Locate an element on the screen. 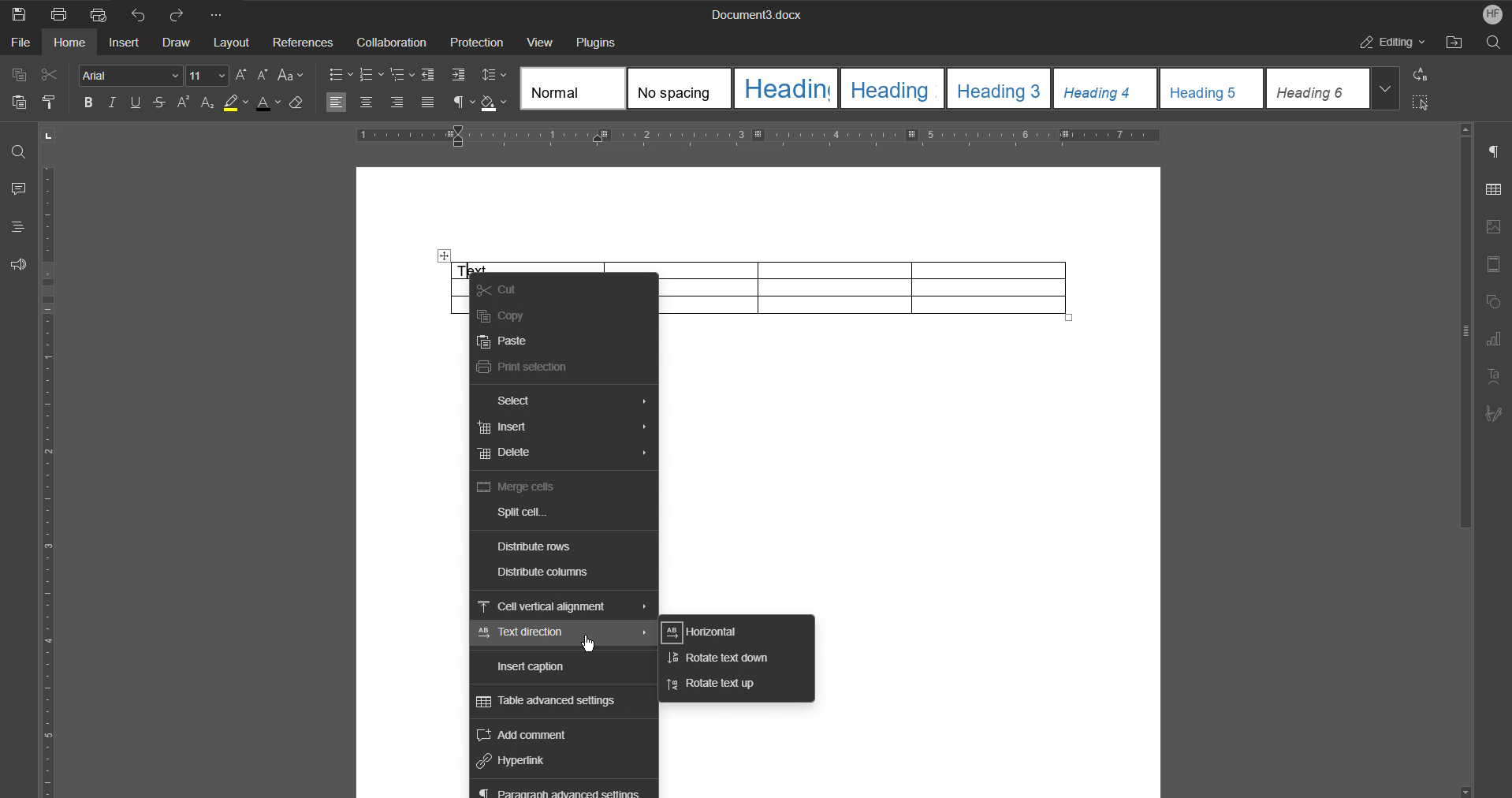 This screenshot has height=798, width=1512. Home is located at coordinates (71, 43).